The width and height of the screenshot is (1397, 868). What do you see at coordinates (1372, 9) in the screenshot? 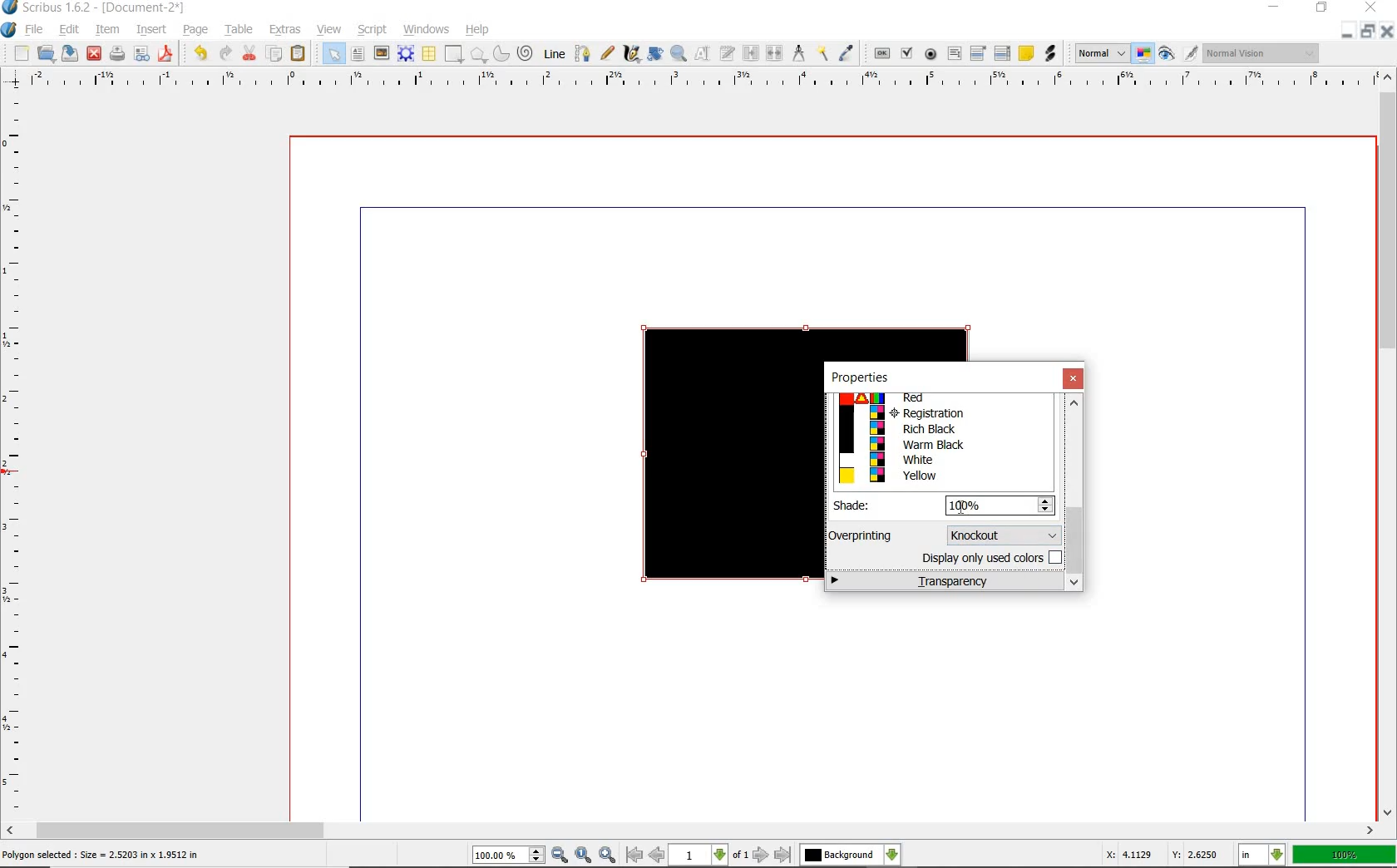
I see `CLOSE` at bounding box center [1372, 9].